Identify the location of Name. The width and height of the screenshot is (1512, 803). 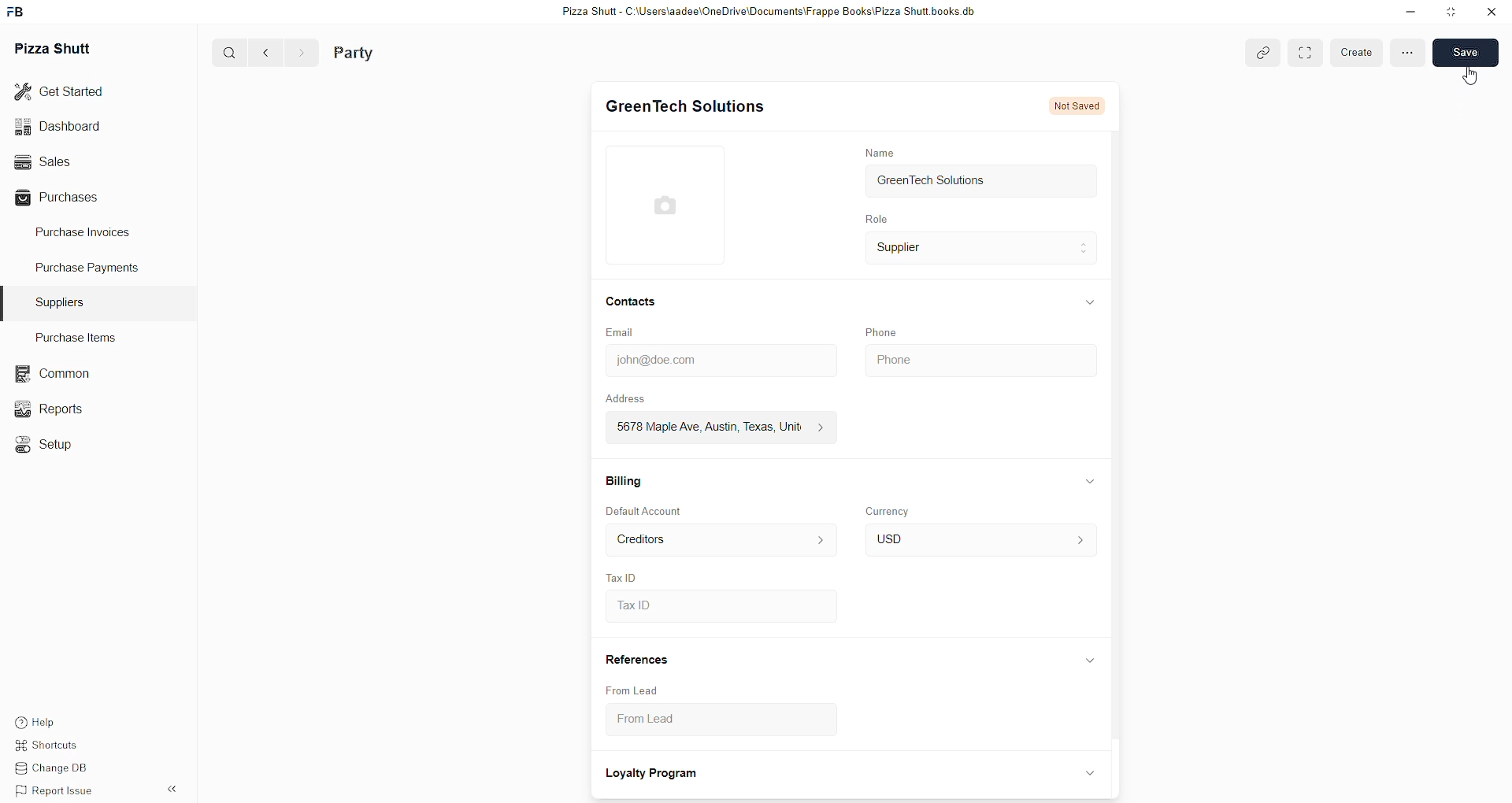
(879, 152).